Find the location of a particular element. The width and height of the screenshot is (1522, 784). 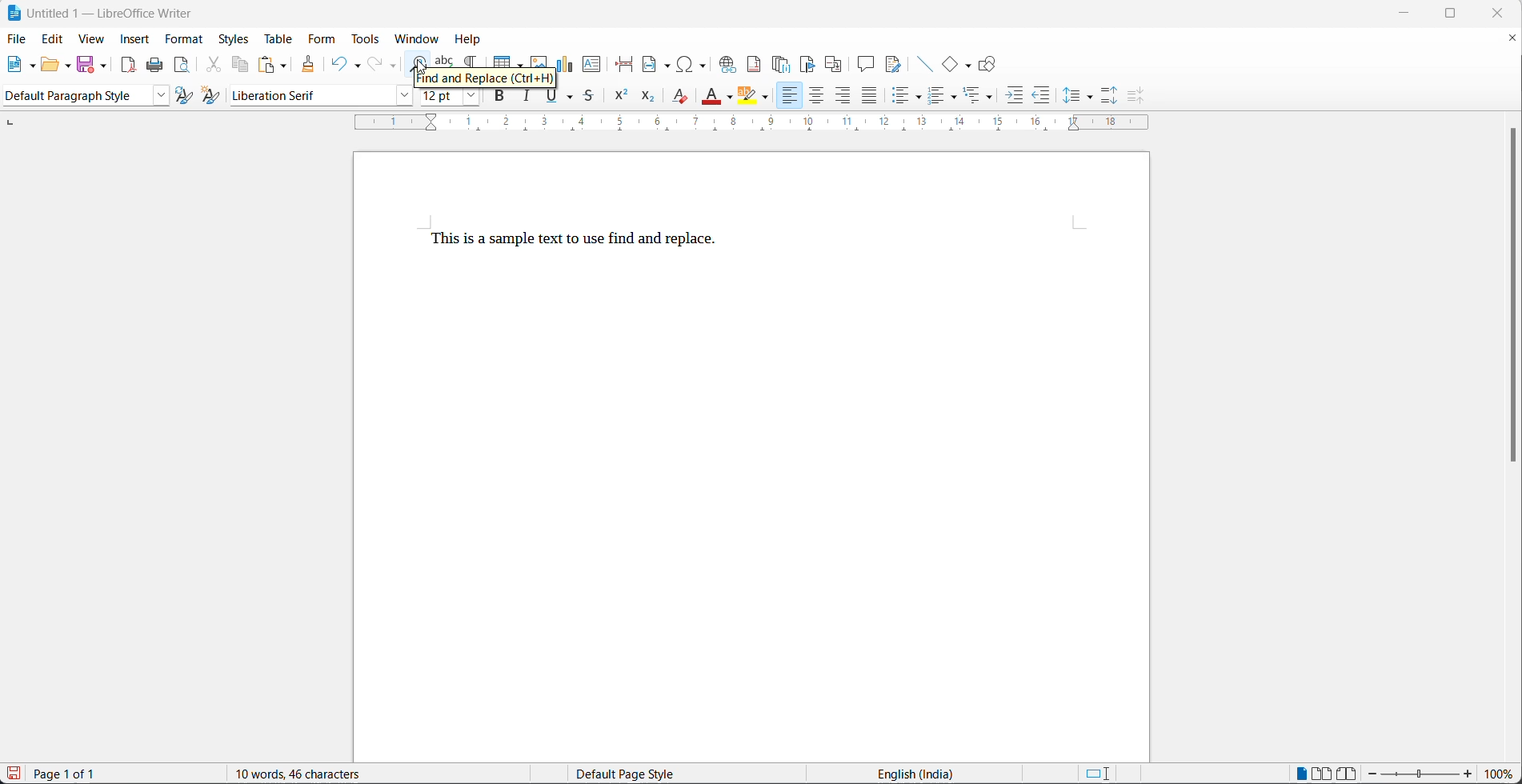

maximize is located at coordinates (1462, 15).